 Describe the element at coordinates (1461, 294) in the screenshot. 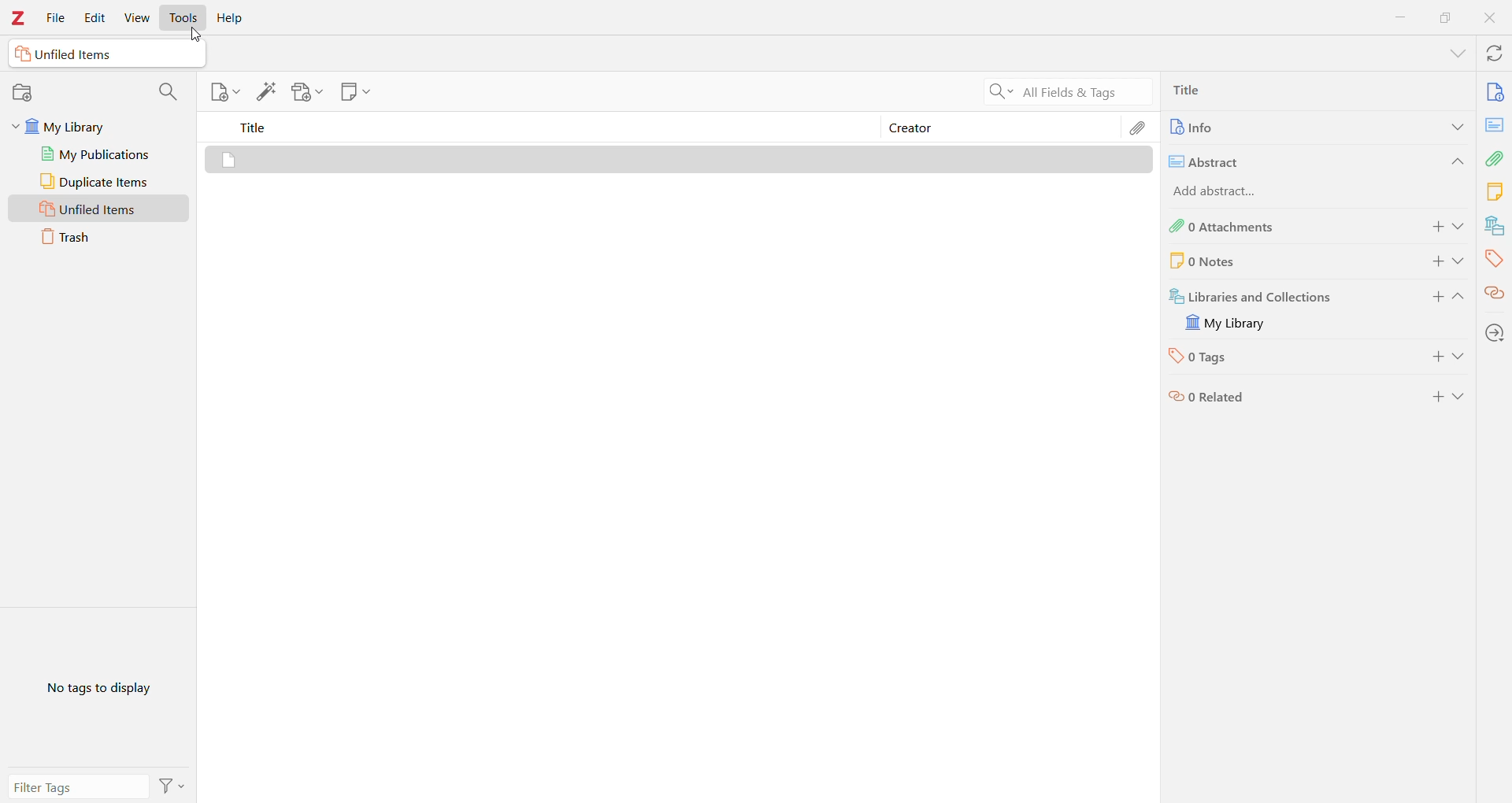

I see `Collapse Section` at that location.